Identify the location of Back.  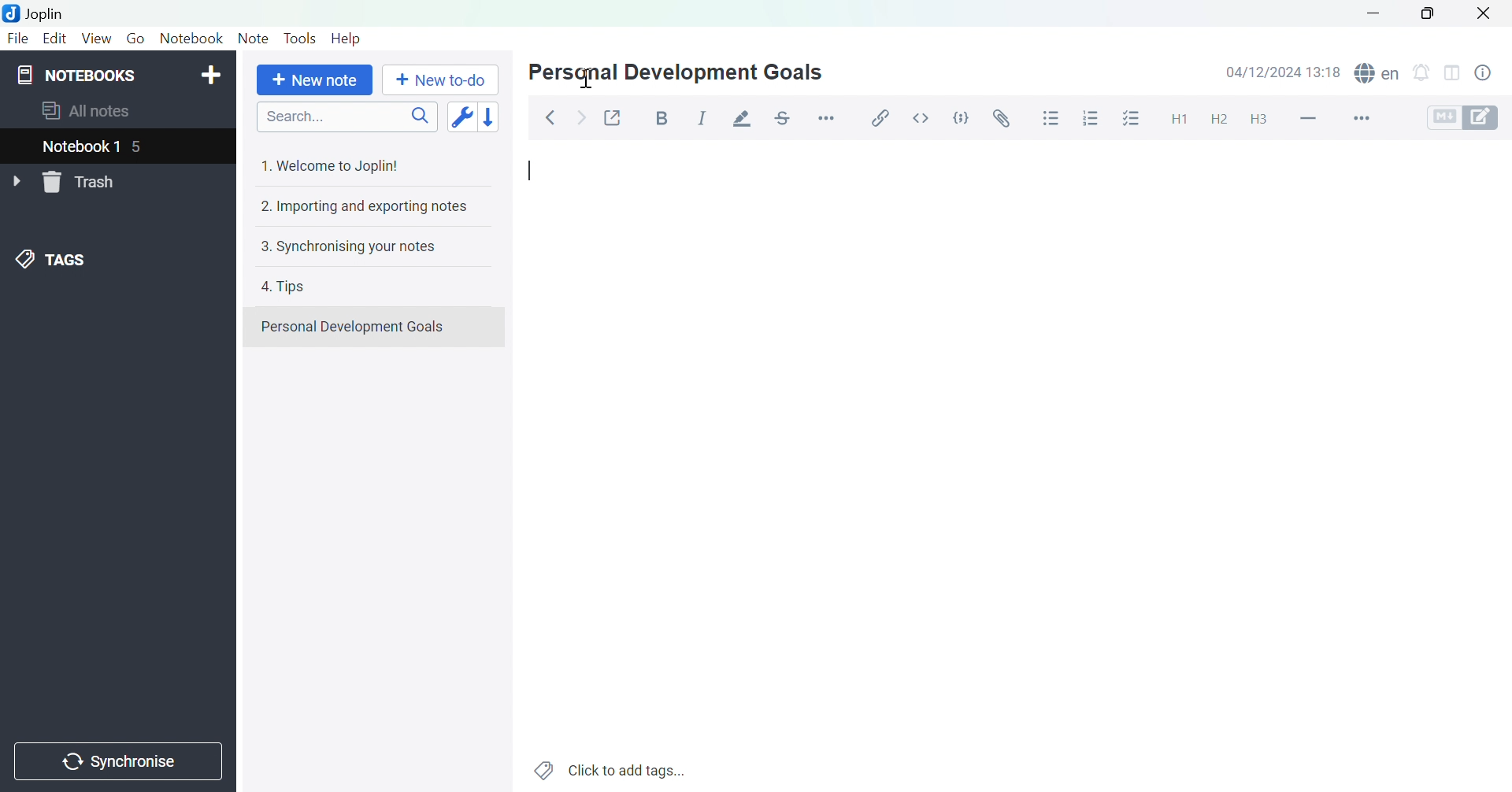
(550, 117).